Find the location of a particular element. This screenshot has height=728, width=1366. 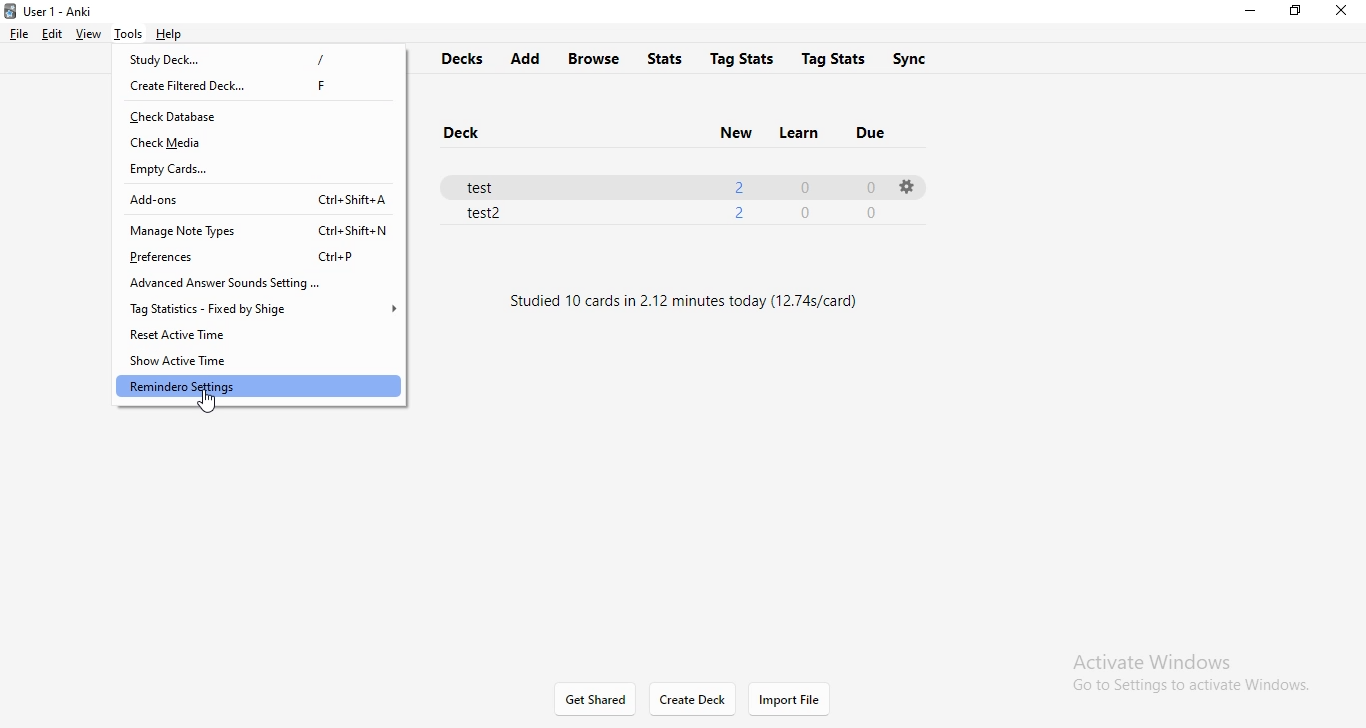

view is located at coordinates (86, 34).